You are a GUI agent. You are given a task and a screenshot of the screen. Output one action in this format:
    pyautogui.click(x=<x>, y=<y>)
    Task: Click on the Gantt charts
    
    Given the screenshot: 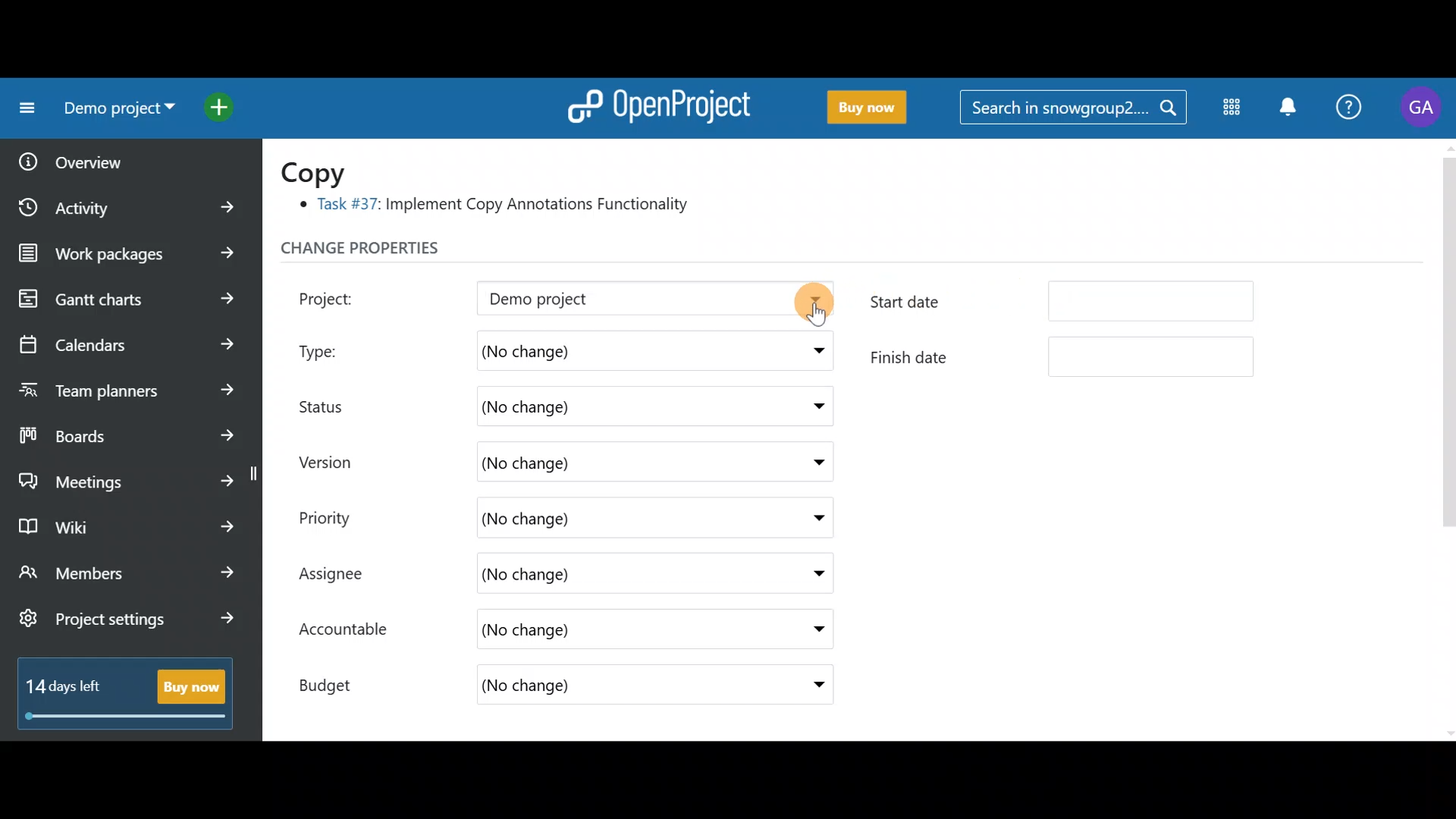 What is the action you would take?
    pyautogui.click(x=124, y=300)
    